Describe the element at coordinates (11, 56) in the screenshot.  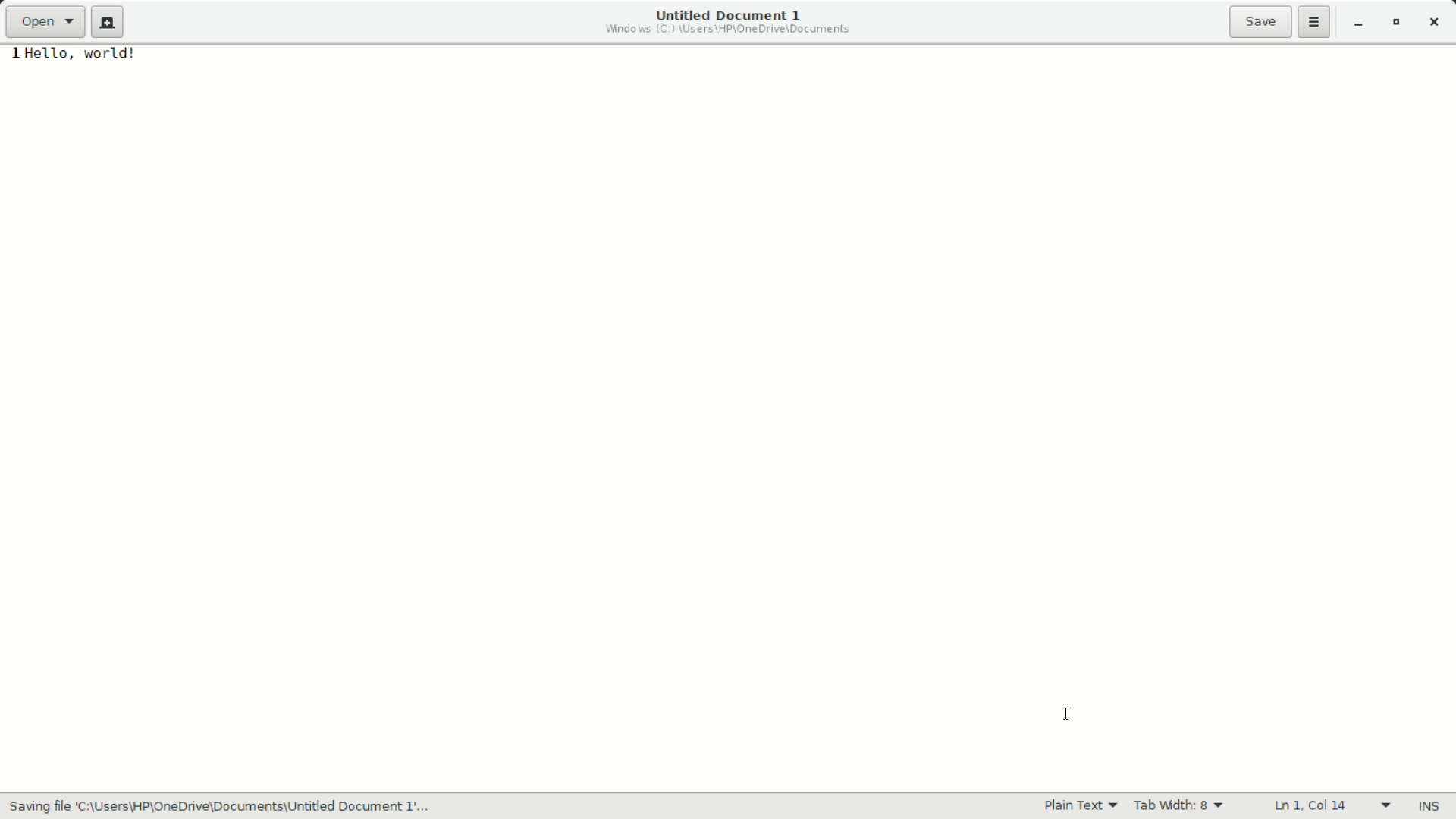
I see `1` at that location.